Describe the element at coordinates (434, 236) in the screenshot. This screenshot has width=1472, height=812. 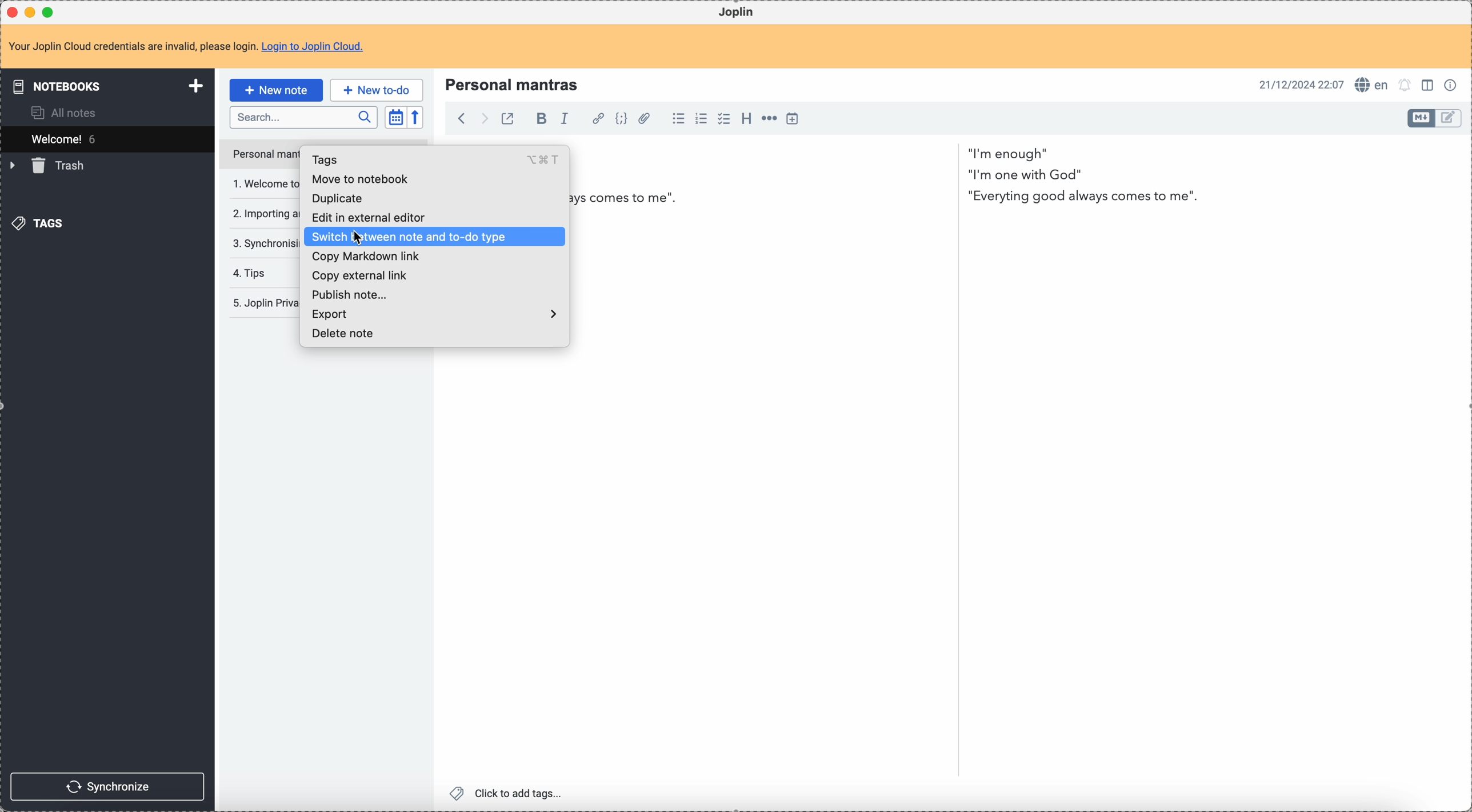
I see `click on switch between note and to-do type` at that location.